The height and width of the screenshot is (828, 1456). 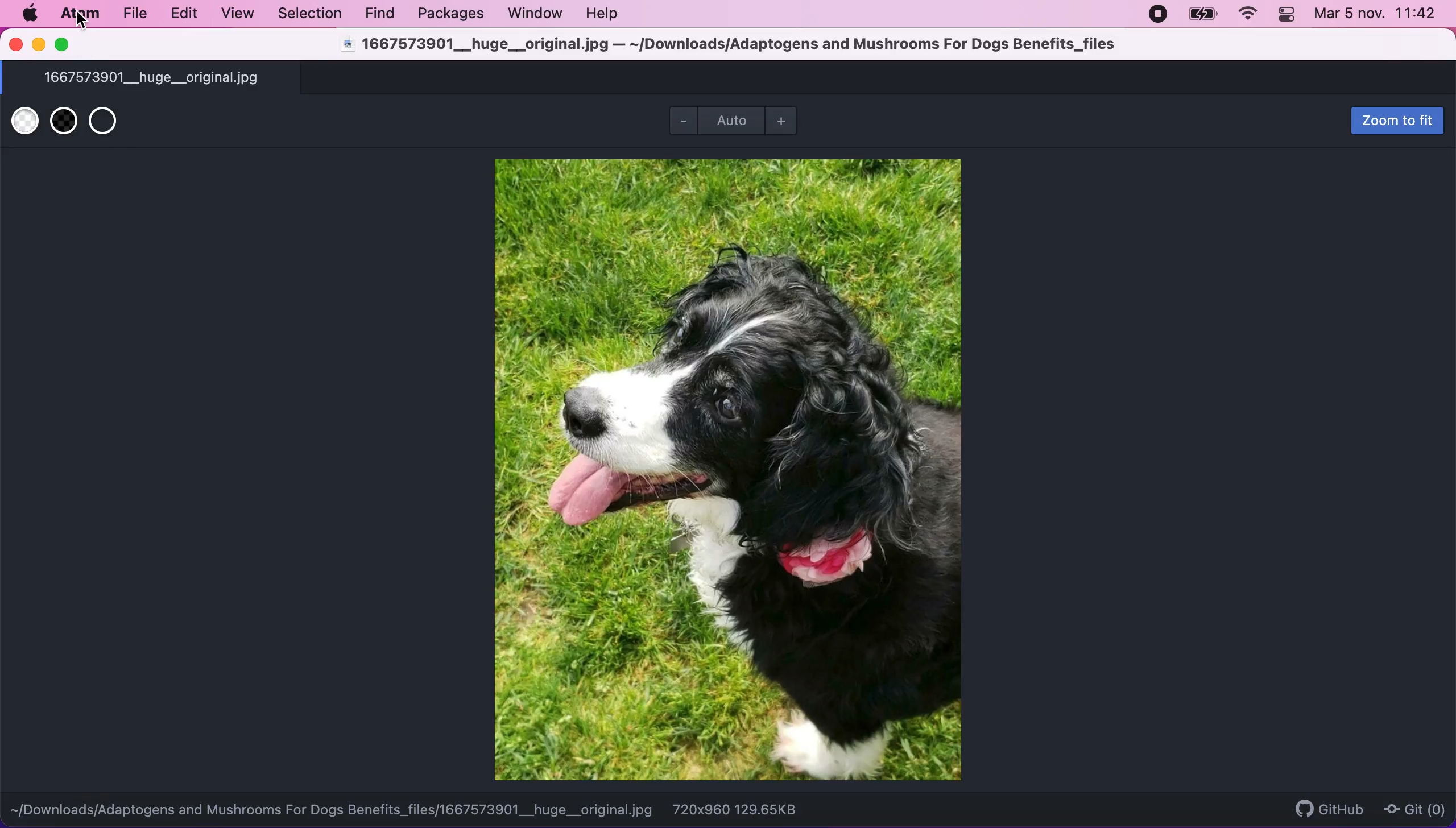 What do you see at coordinates (1324, 804) in the screenshot?
I see `github` at bounding box center [1324, 804].